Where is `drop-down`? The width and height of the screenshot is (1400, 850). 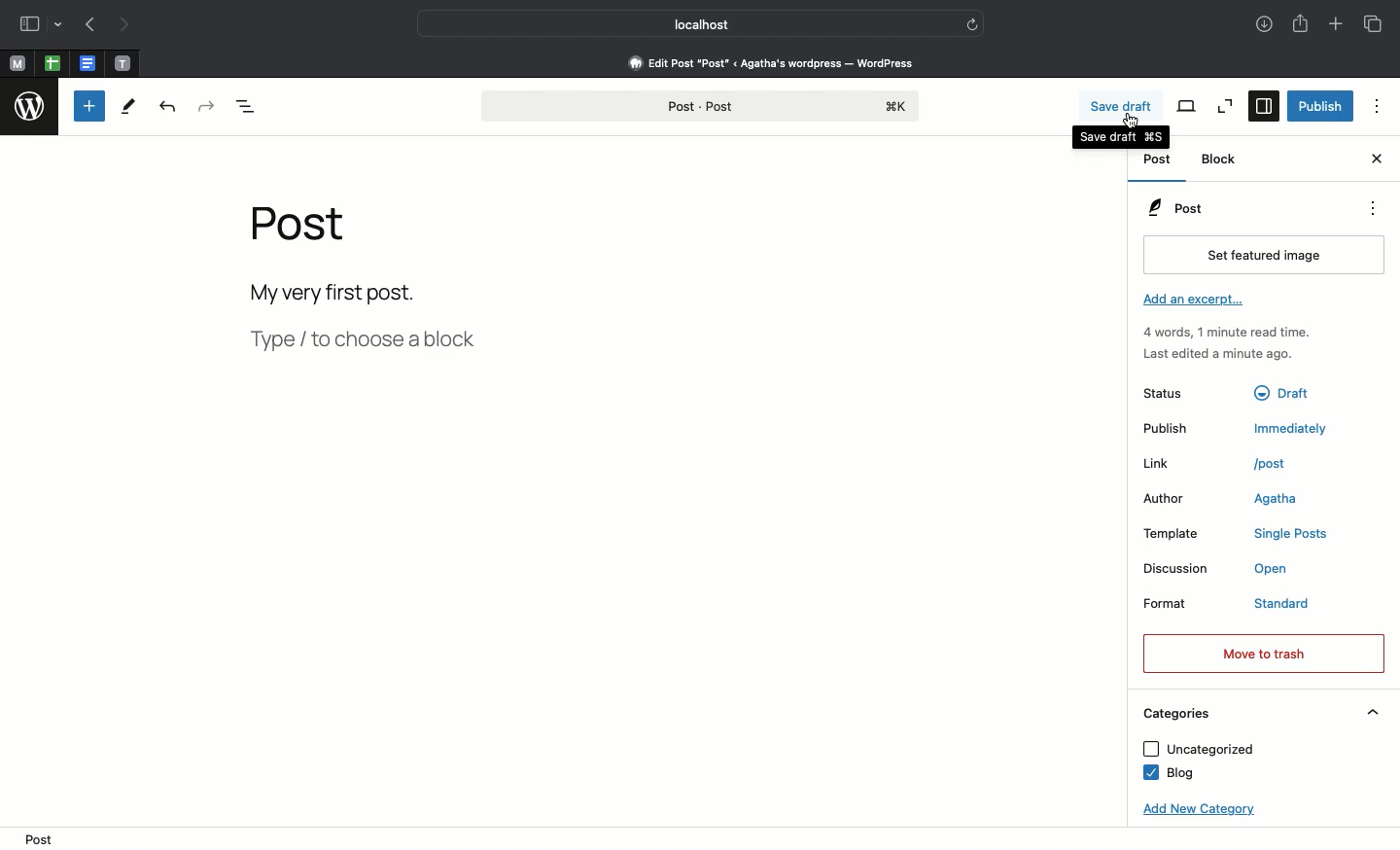 drop-down is located at coordinates (60, 26).